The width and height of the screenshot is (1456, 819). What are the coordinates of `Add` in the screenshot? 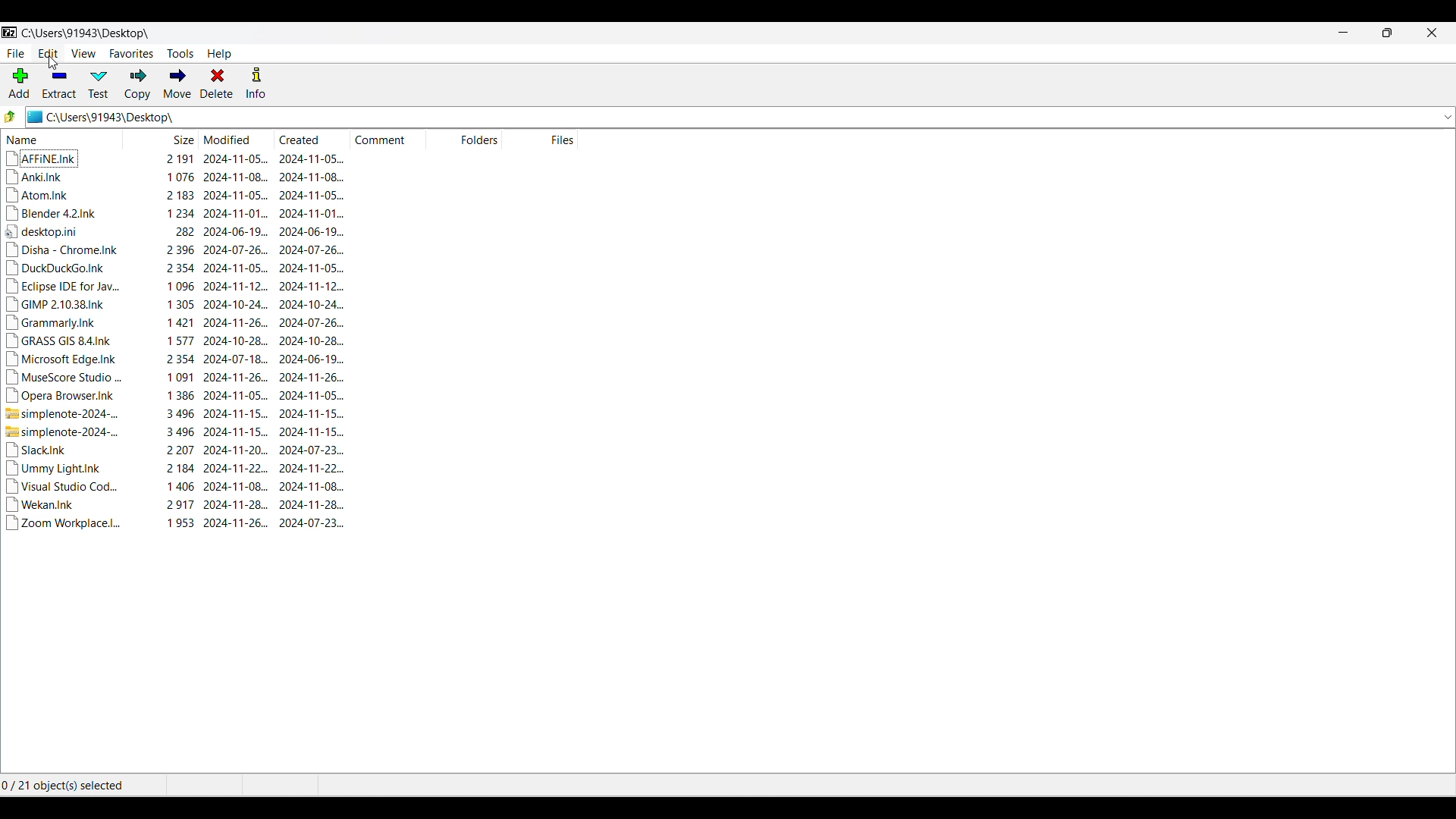 It's located at (19, 83).